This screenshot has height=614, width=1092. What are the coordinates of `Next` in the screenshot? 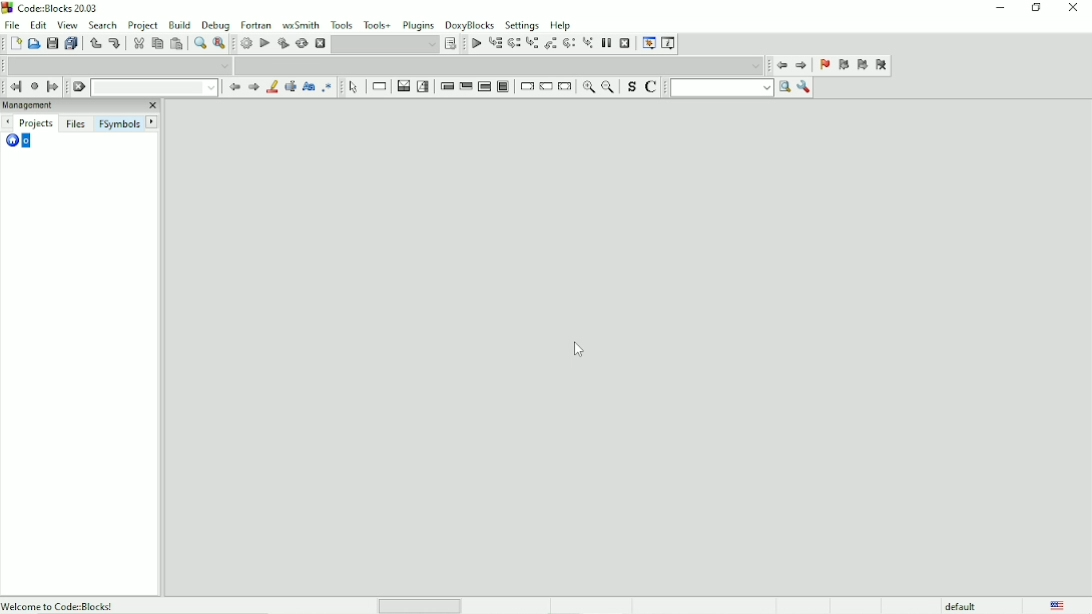 It's located at (152, 122).